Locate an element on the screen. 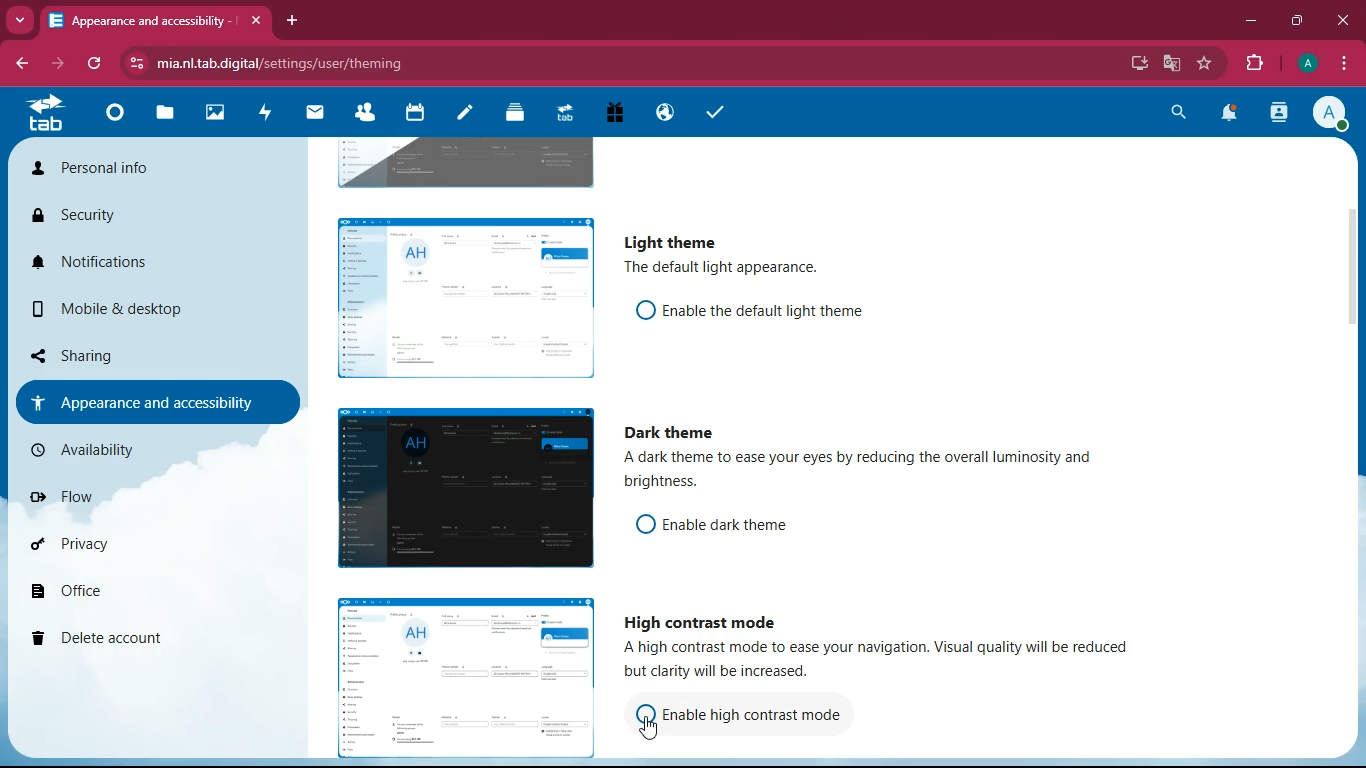  activity is located at coordinates (1281, 115).